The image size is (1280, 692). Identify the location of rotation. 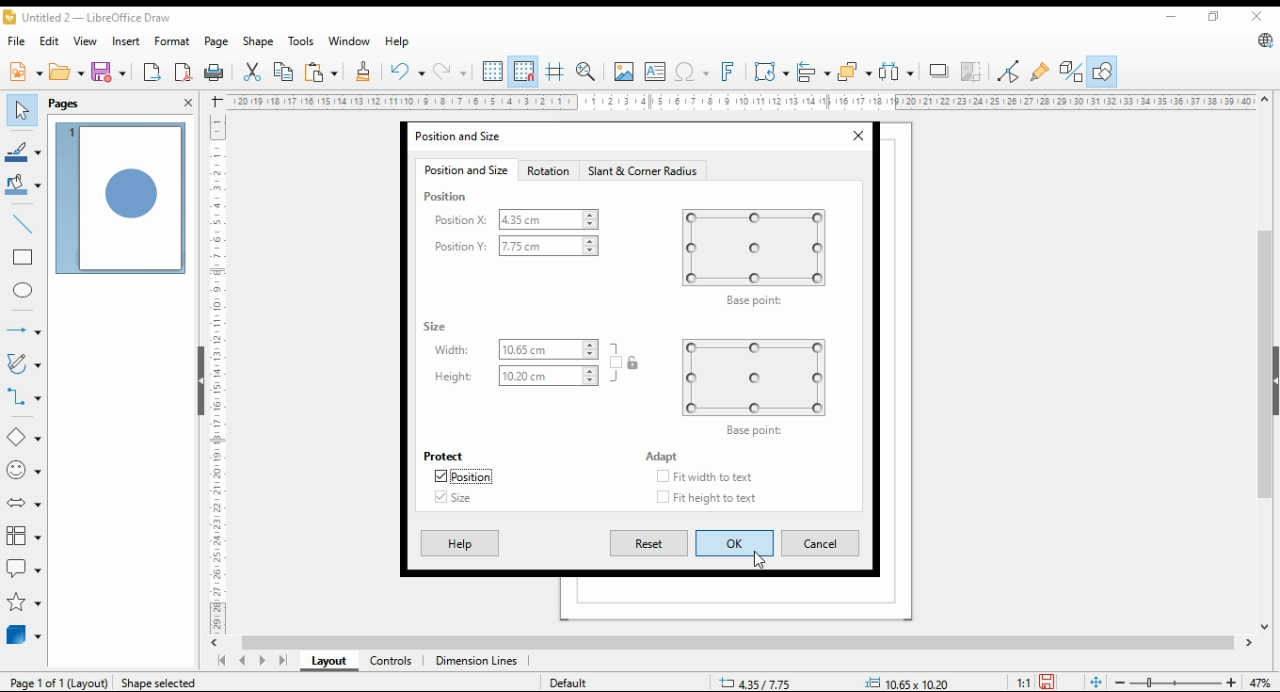
(548, 171).